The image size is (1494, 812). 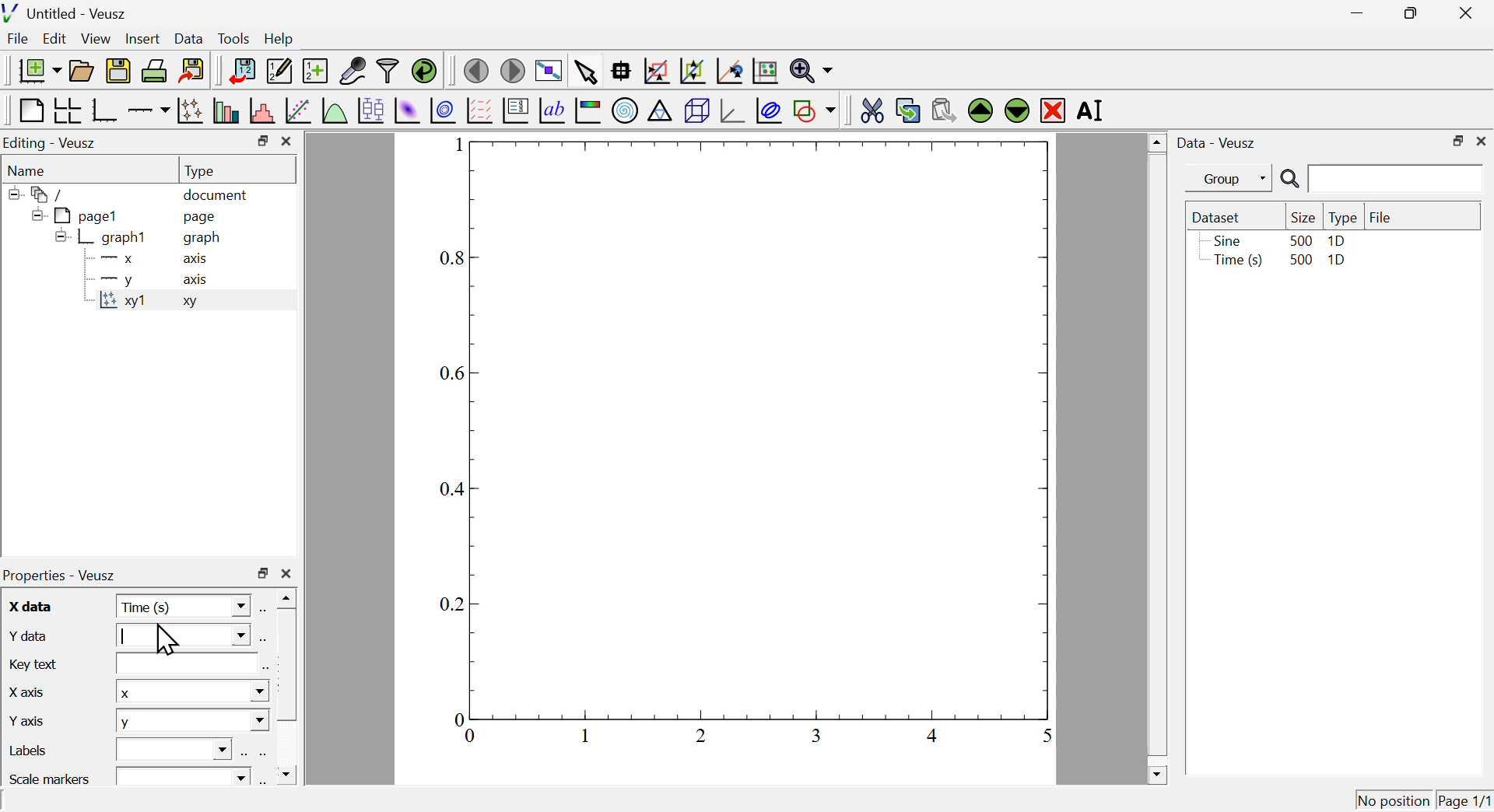 What do you see at coordinates (297, 111) in the screenshot?
I see `fit a function to data` at bounding box center [297, 111].